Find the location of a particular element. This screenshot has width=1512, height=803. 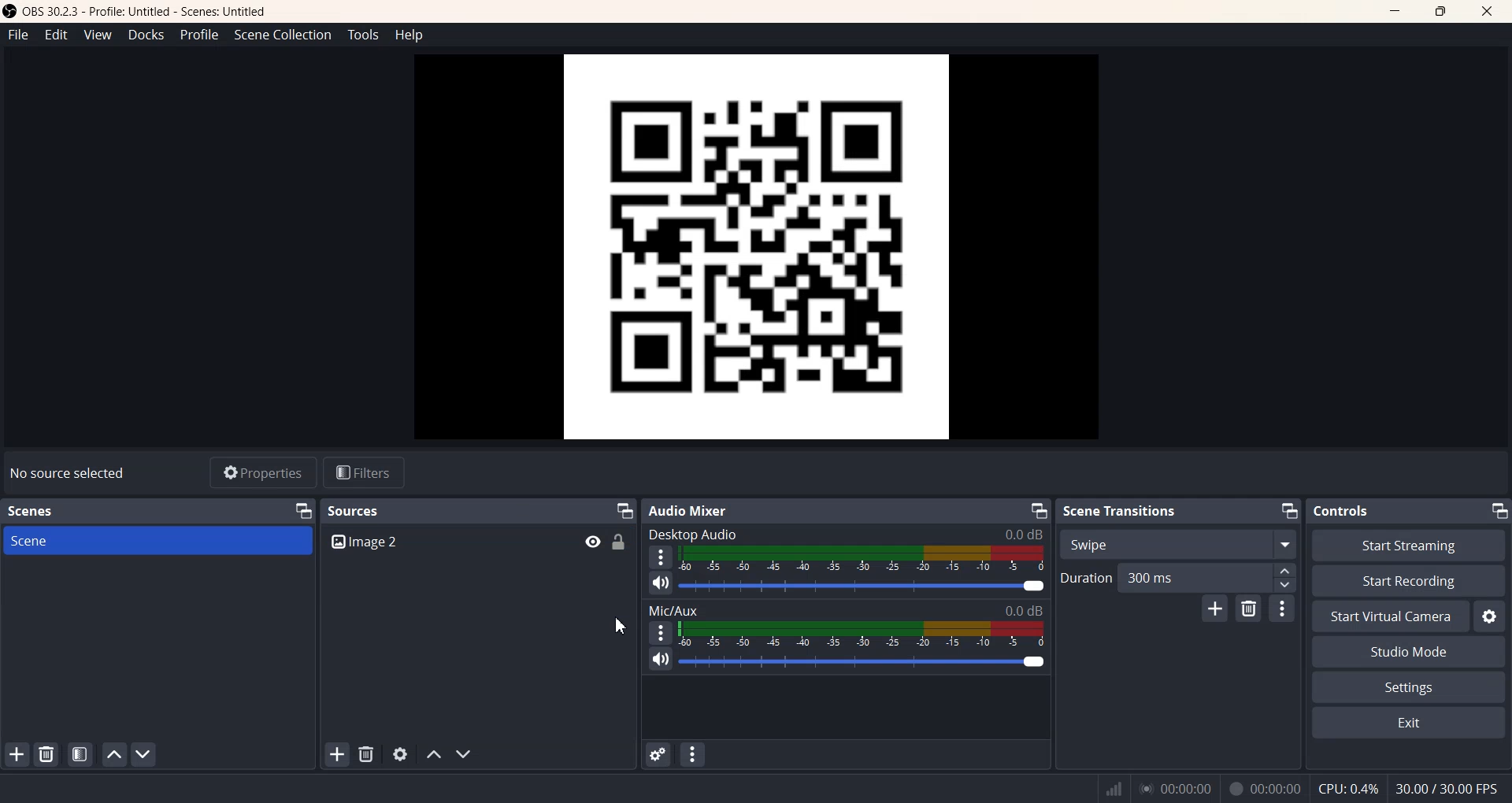

Duration adjuster is located at coordinates (1274, 576).